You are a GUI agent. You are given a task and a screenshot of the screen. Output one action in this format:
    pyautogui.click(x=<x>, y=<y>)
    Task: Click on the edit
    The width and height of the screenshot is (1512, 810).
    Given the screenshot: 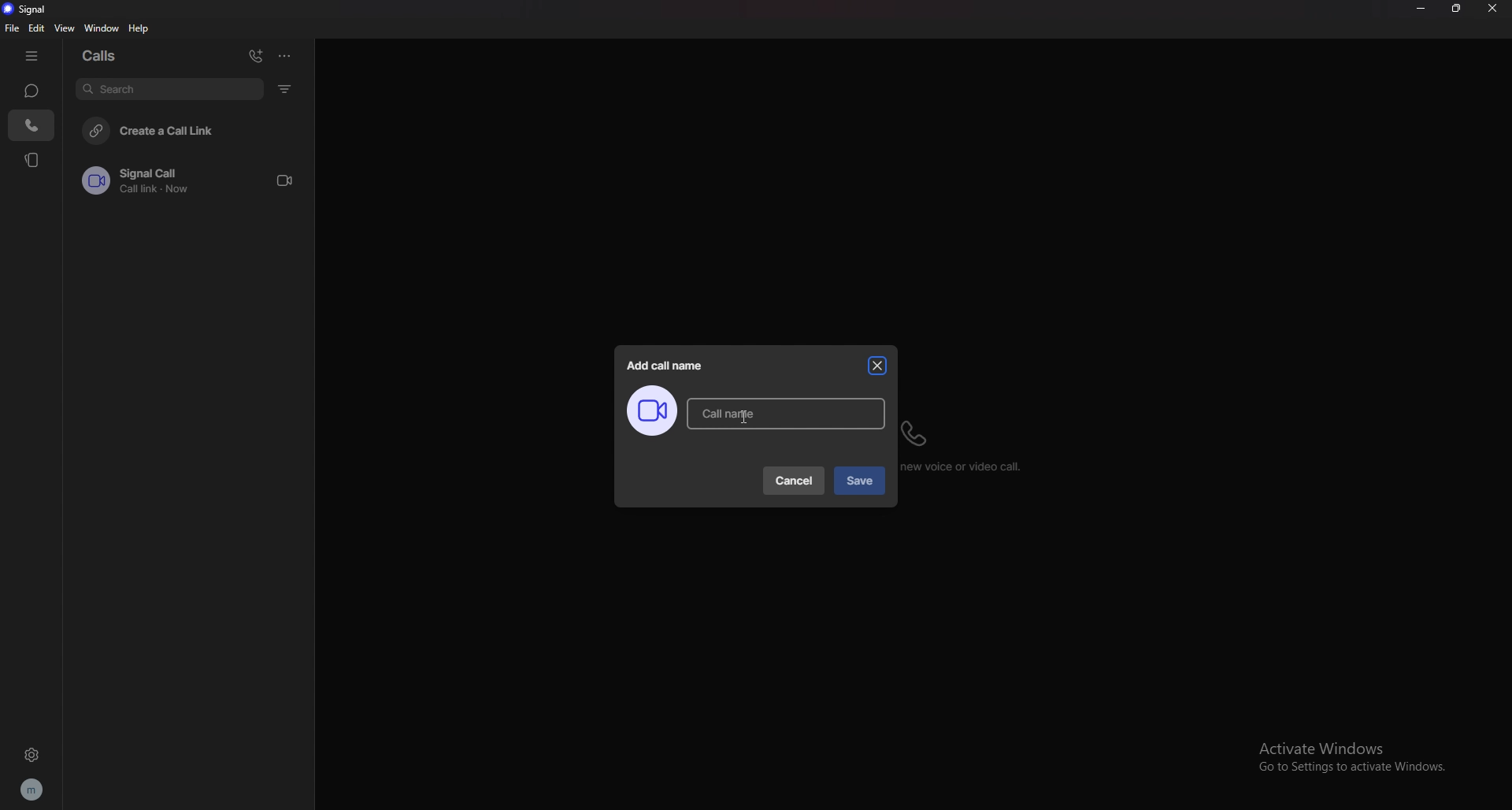 What is the action you would take?
    pyautogui.click(x=37, y=28)
    